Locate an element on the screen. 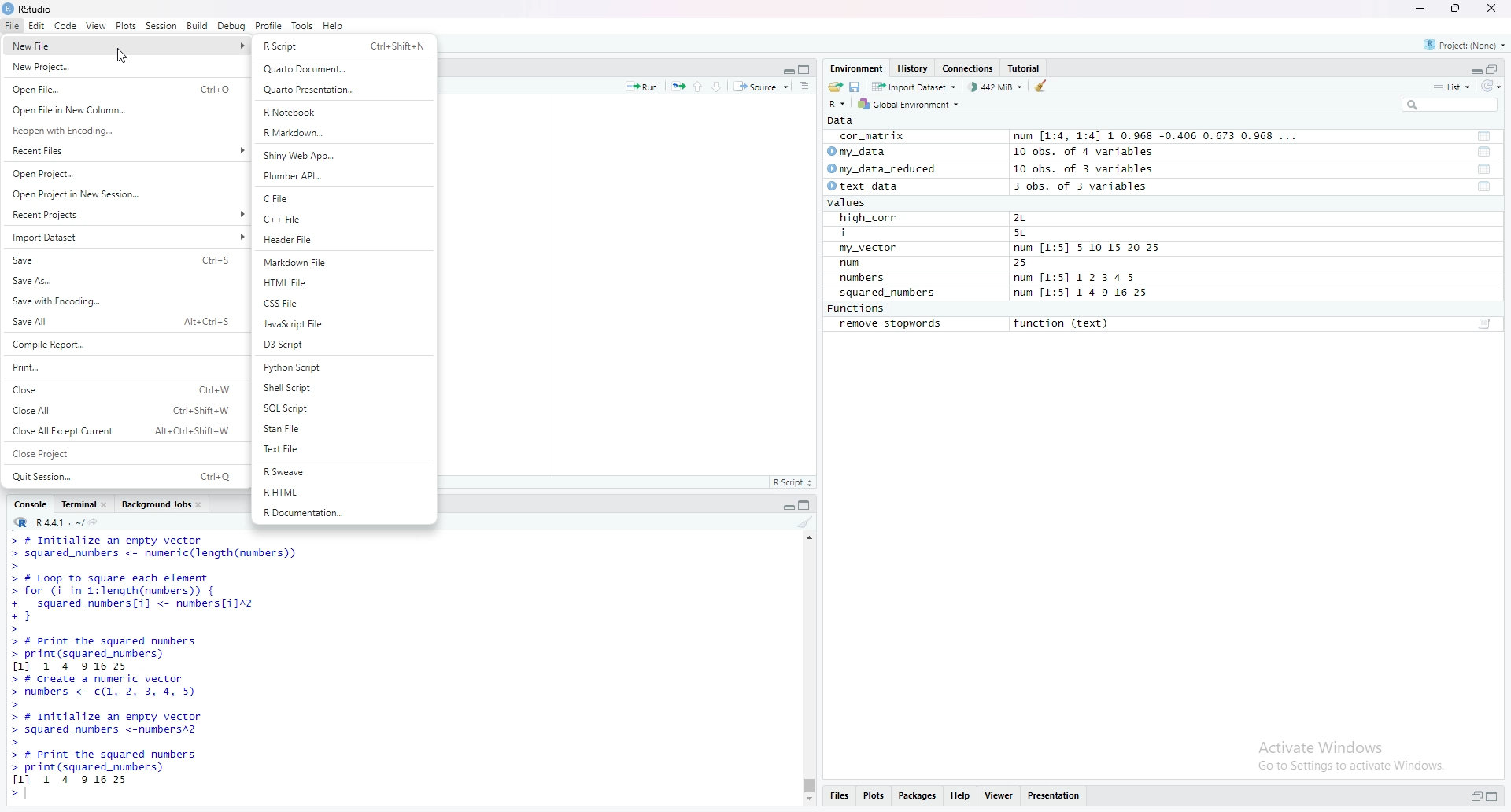 The width and height of the screenshot is (1511, 812). Close Ctrl+W is located at coordinates (122, 389).